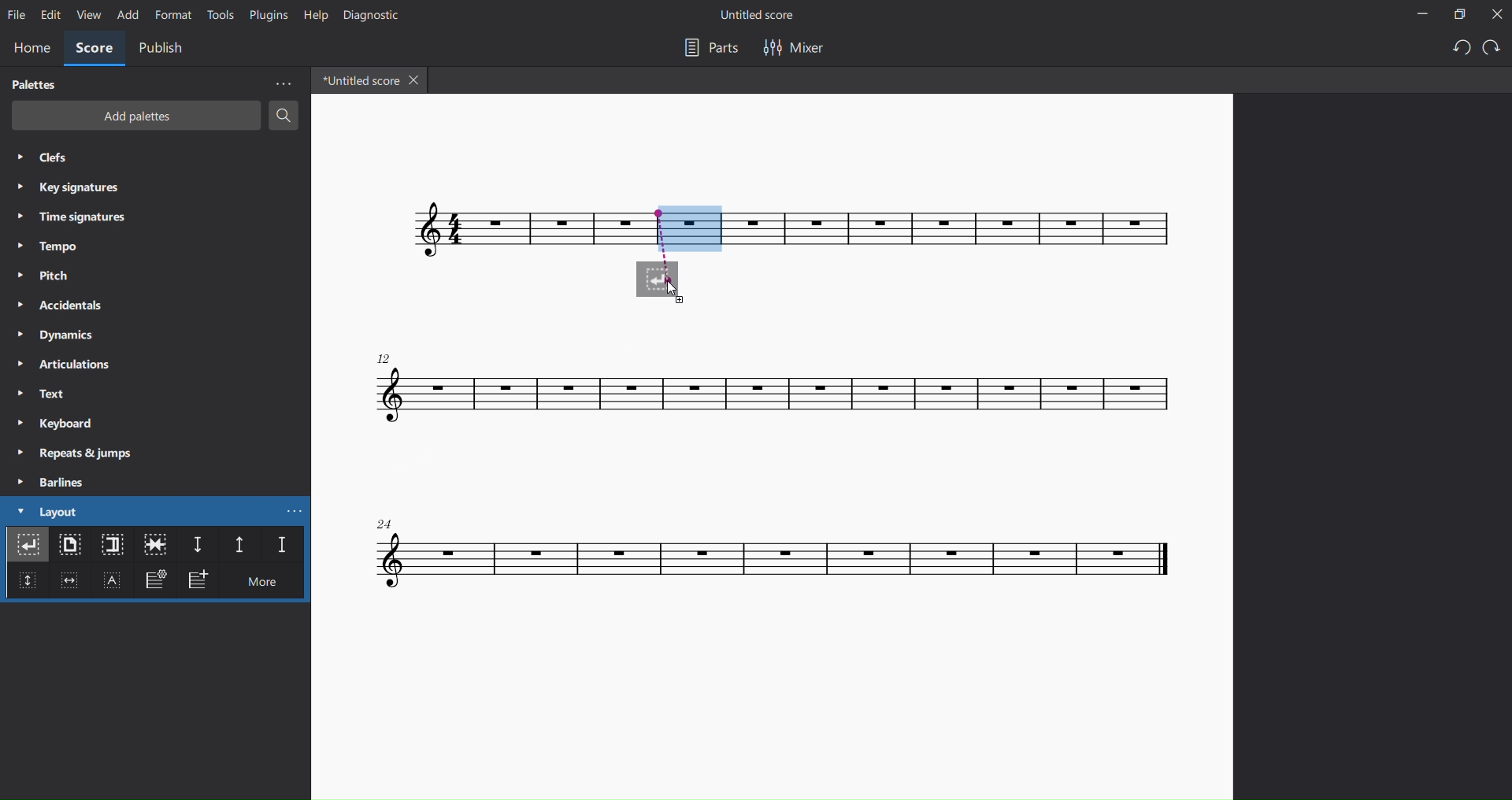 Image resolution: width=1512 pixels, height=800 pixels. Describe the element at coordinates (476, 230) in the screenshot. I see `score` at that location.